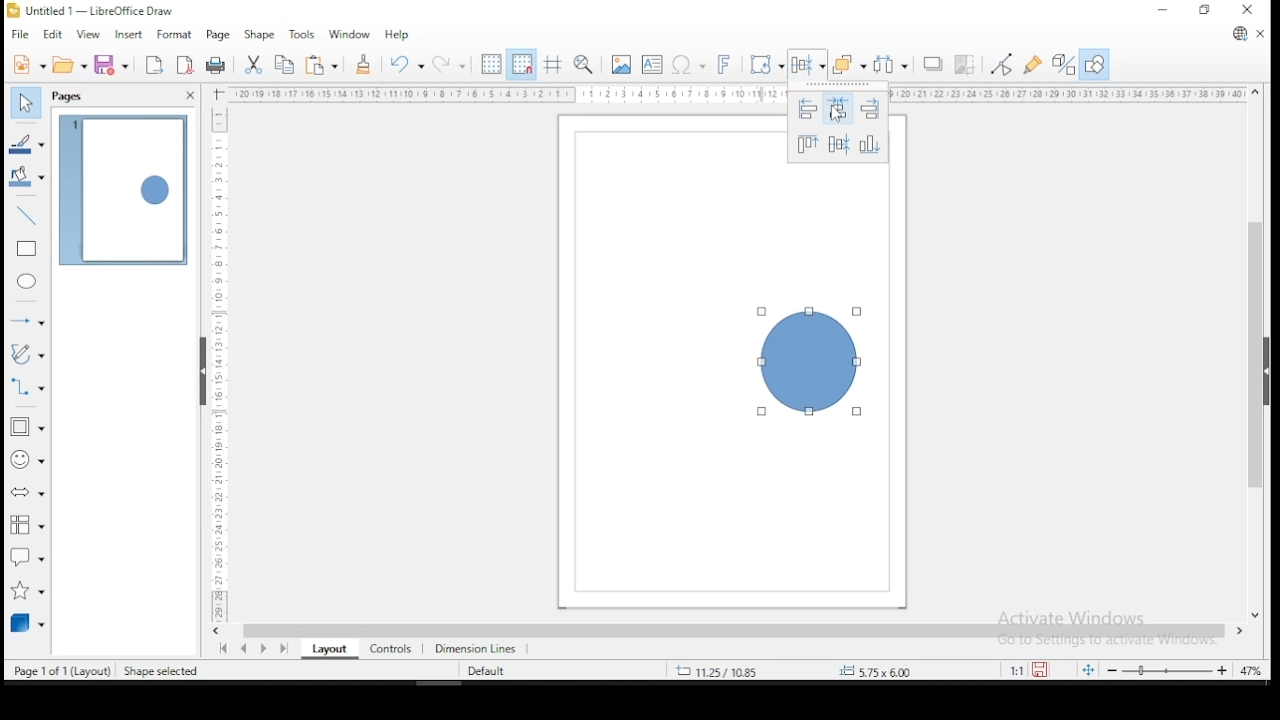 This screenshot has width=1280, height=720. Describe the element at coordinates (217, 66) in the screenshot. I see `print` at that location.